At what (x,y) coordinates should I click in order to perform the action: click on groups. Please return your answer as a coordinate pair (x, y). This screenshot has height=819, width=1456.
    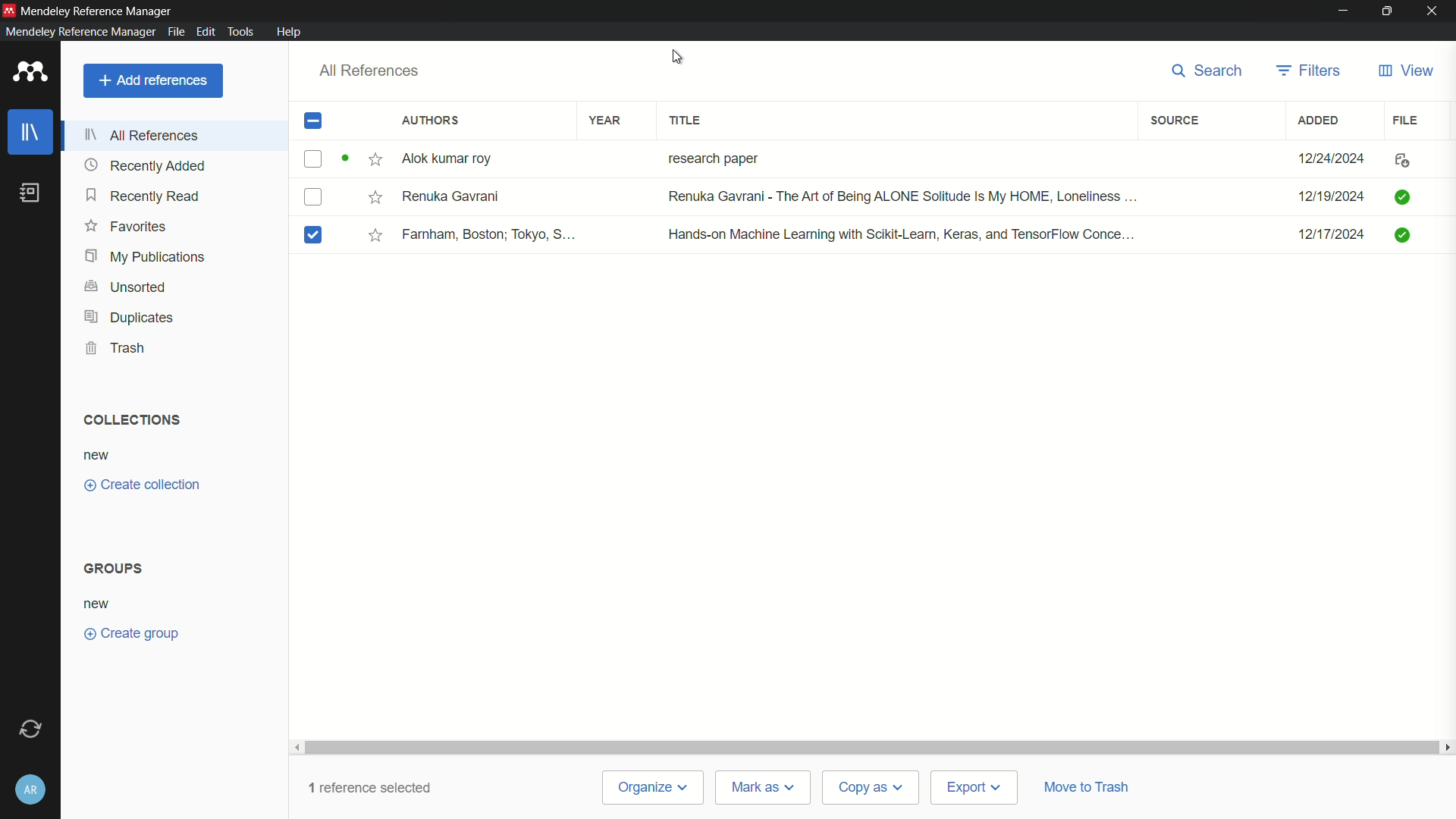
    Looking at the image, I should click on (115, 568).